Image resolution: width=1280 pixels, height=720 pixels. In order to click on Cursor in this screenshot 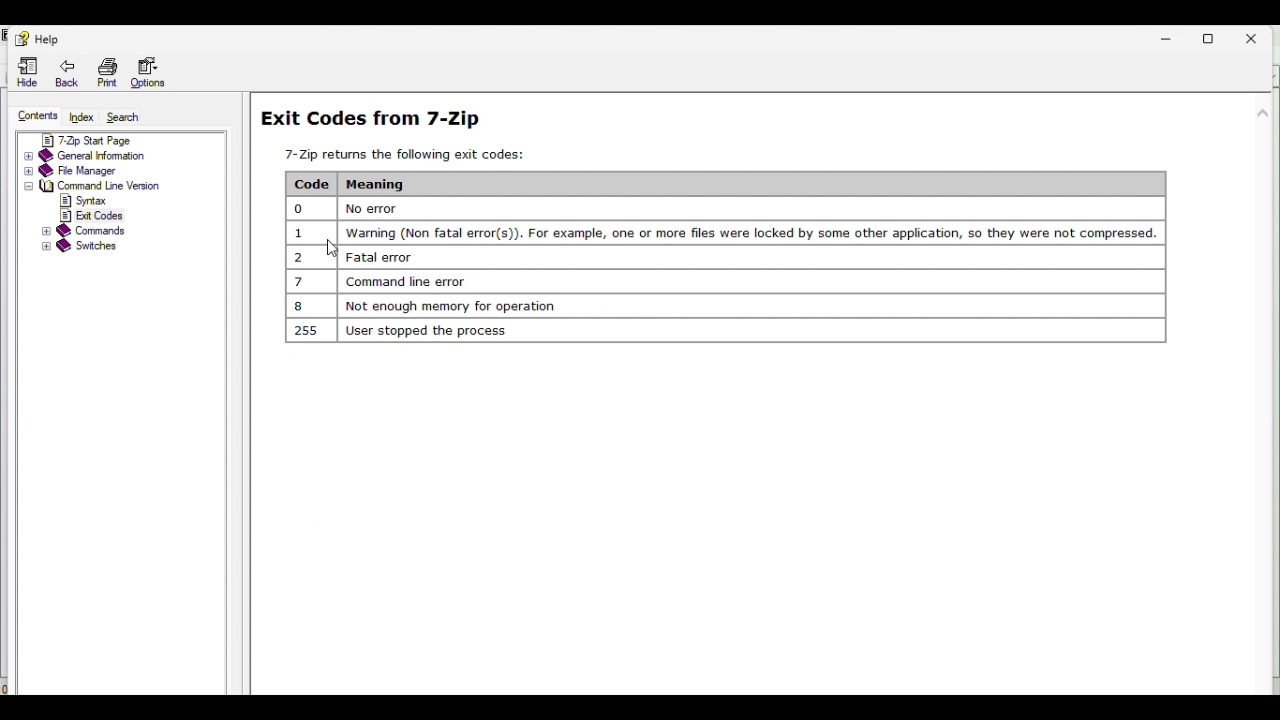, I will do `click(331, 249)`.